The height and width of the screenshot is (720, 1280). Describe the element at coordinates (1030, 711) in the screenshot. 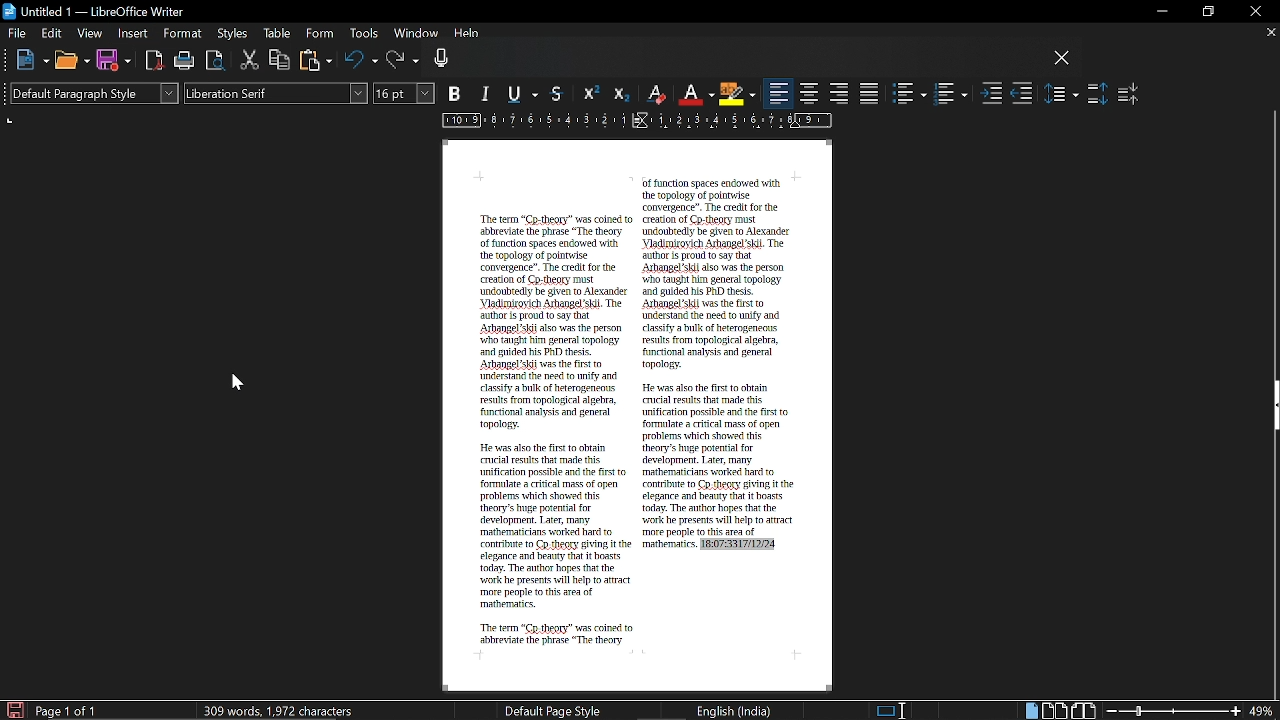

I see `Single page view` at that location.